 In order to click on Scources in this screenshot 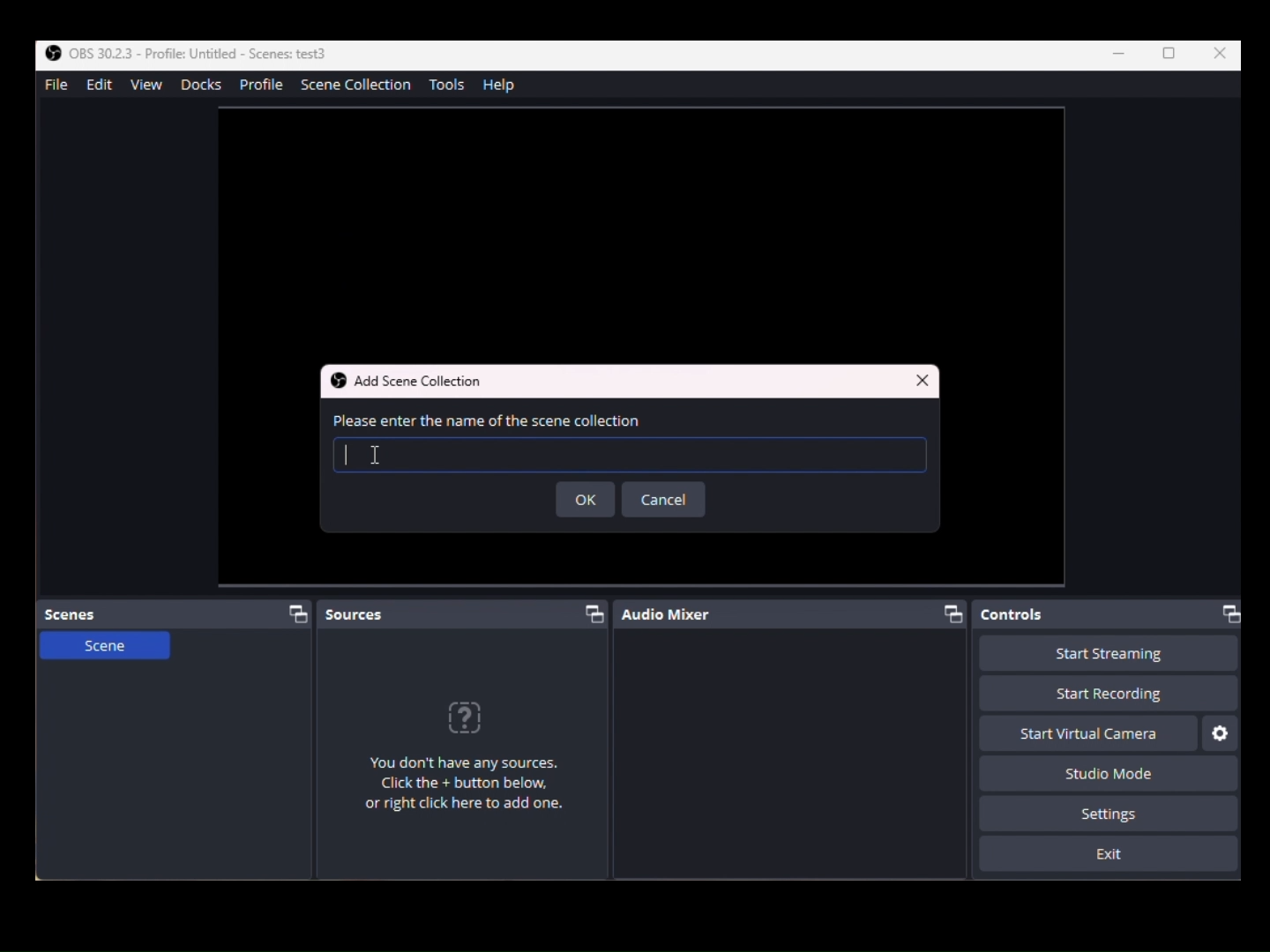, I will do `click(465, 612)`.